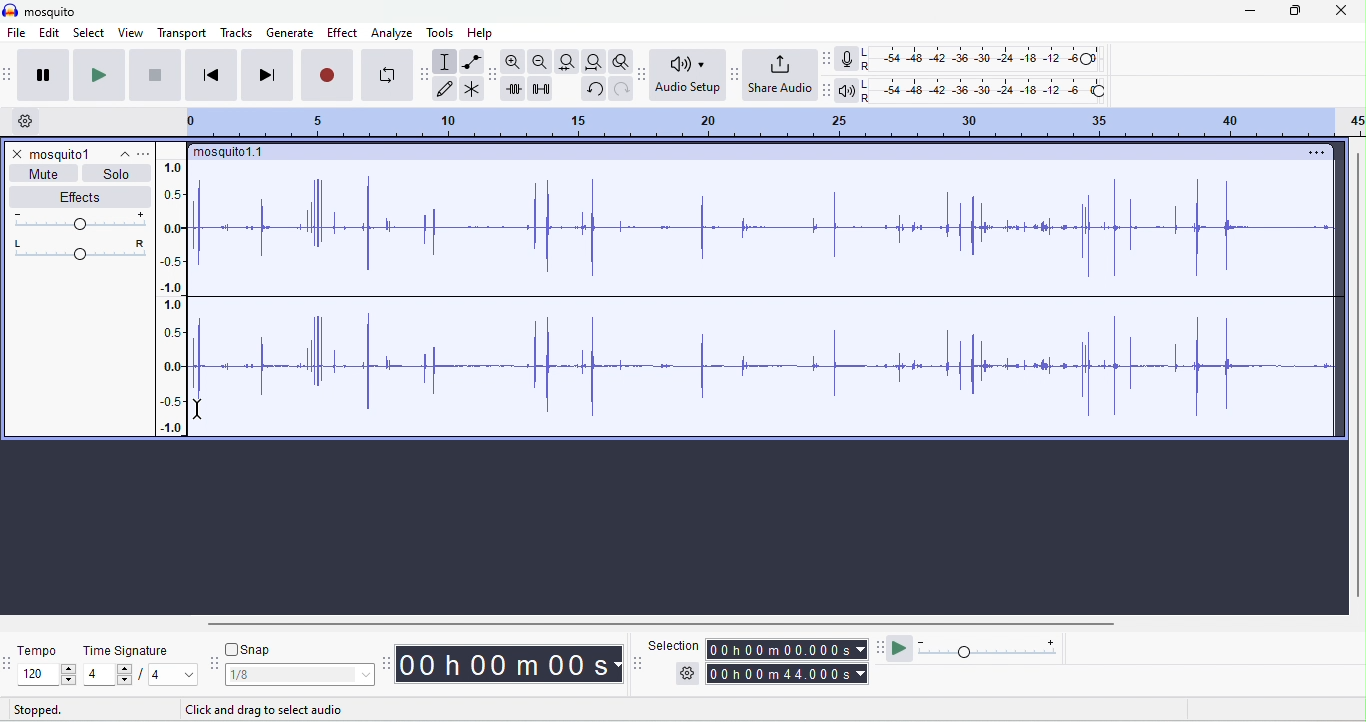 The width and height of the screenshot is (1366, 722). I want to click on audio set up, so click(685, 74).